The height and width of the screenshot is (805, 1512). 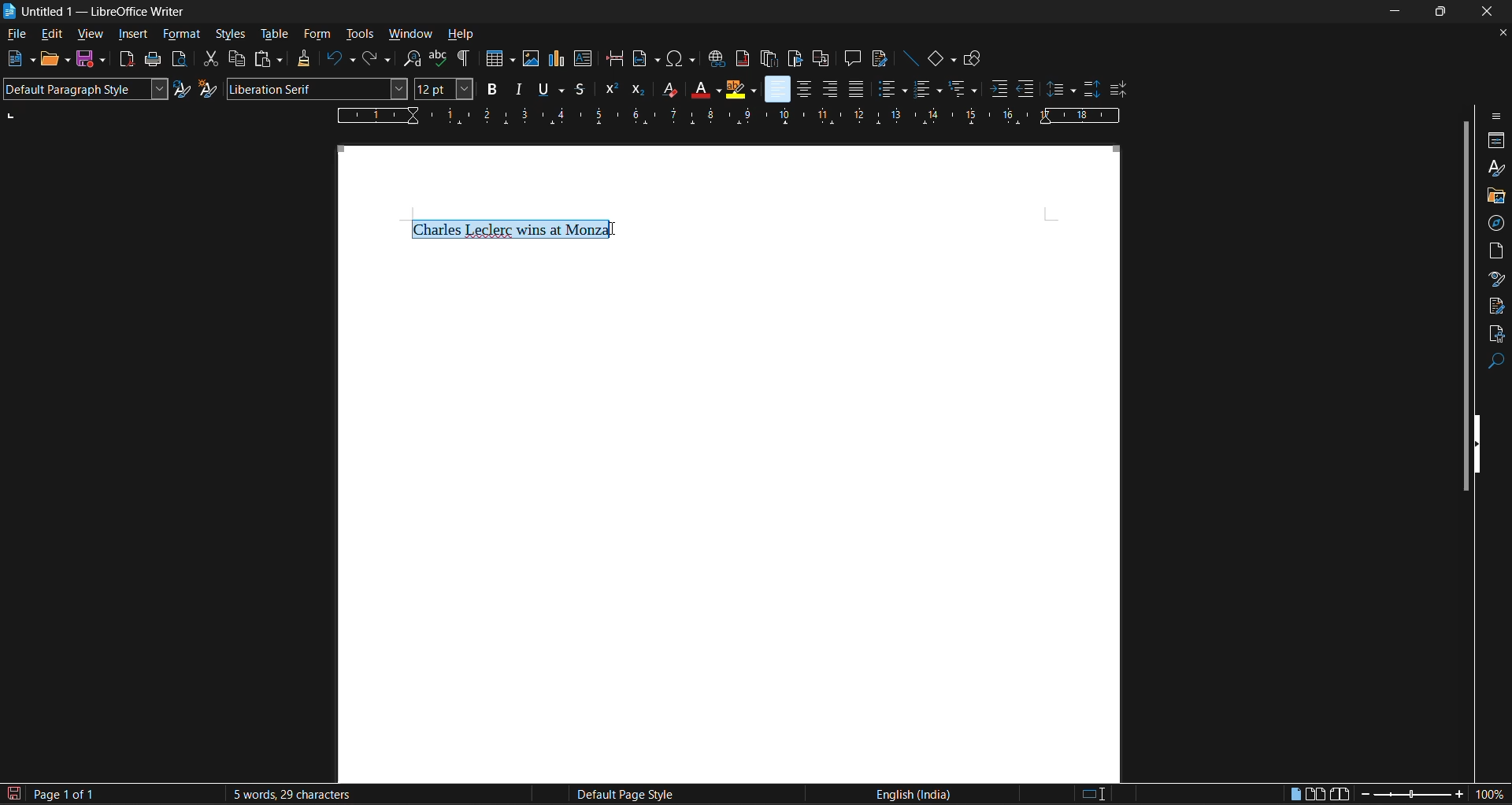 I want to click on zoom in, so click(x=1460, y=795).